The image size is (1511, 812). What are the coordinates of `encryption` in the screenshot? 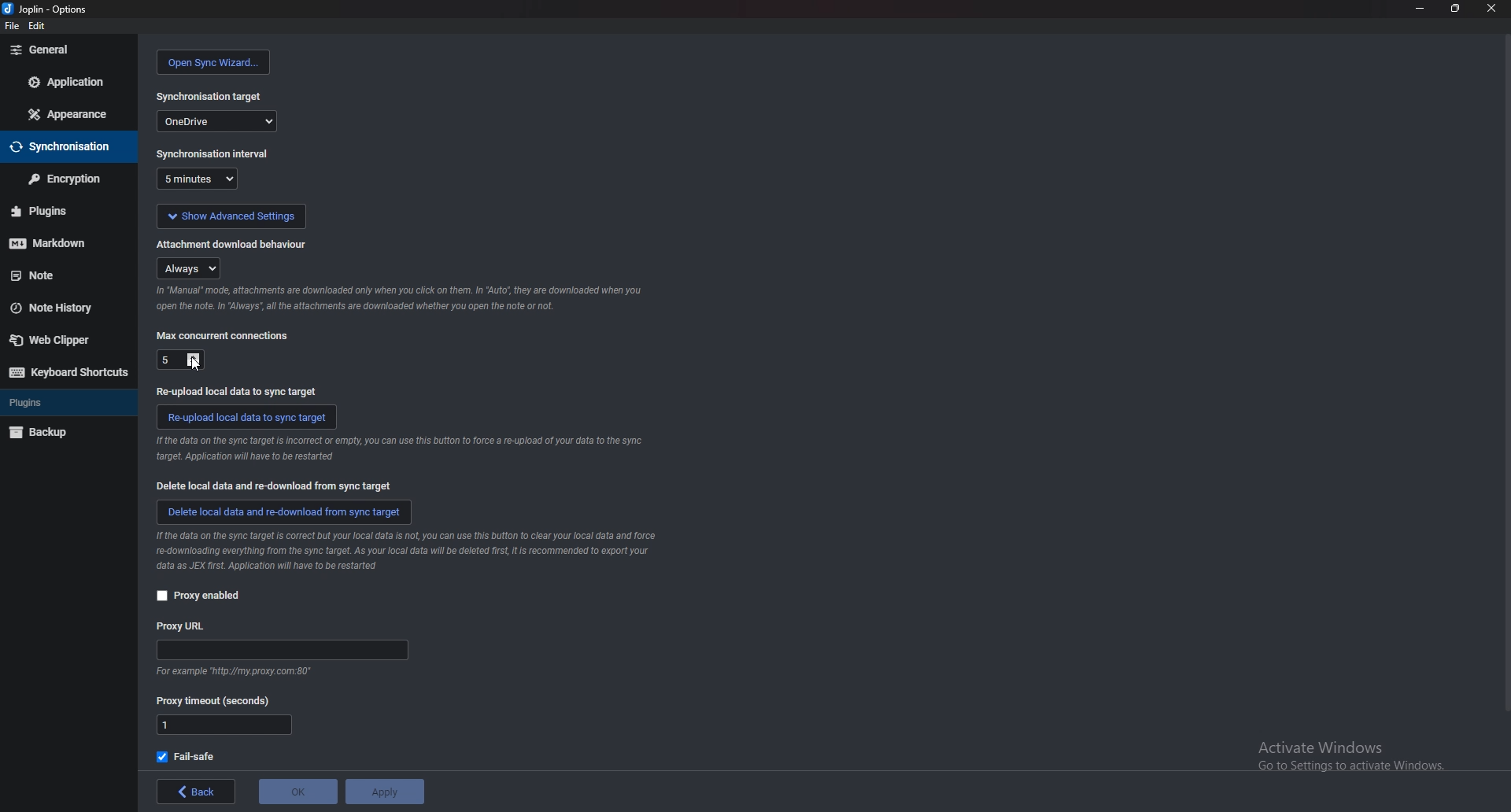 It's located at (68, 178).